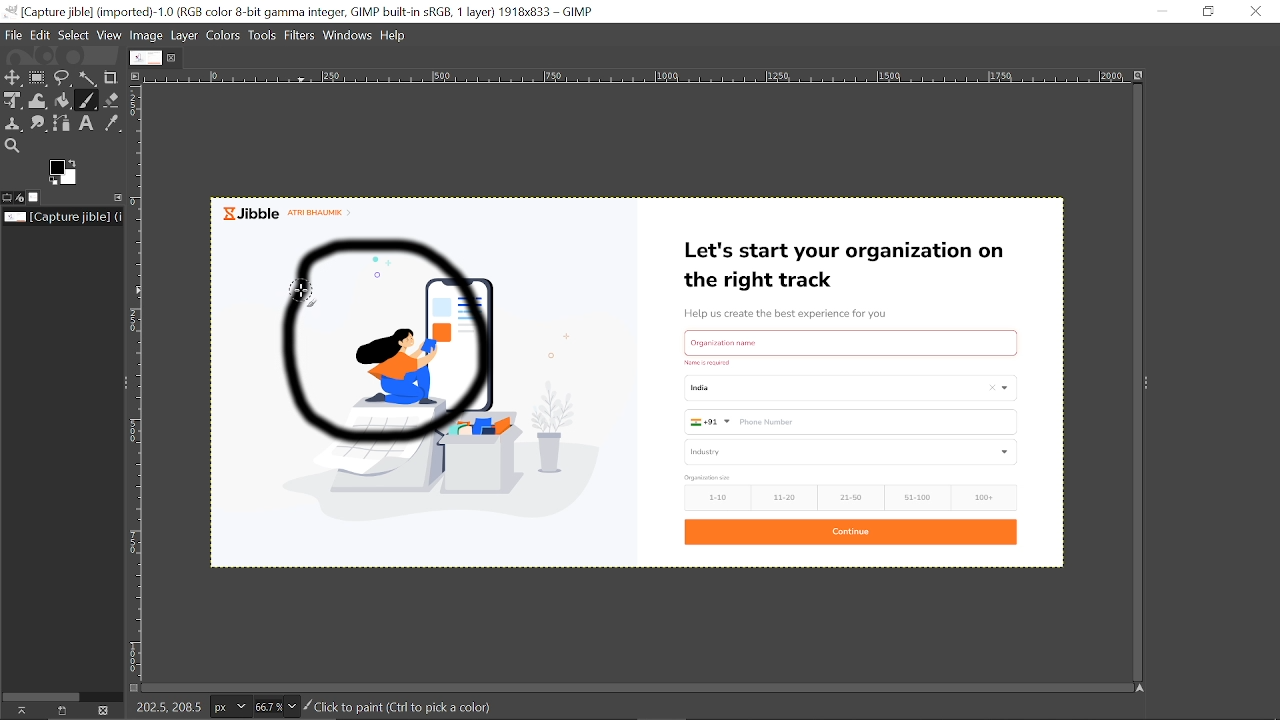 The height and width of the screenshot is (720, 1280). I want to click on Colors, so click(225, 36).